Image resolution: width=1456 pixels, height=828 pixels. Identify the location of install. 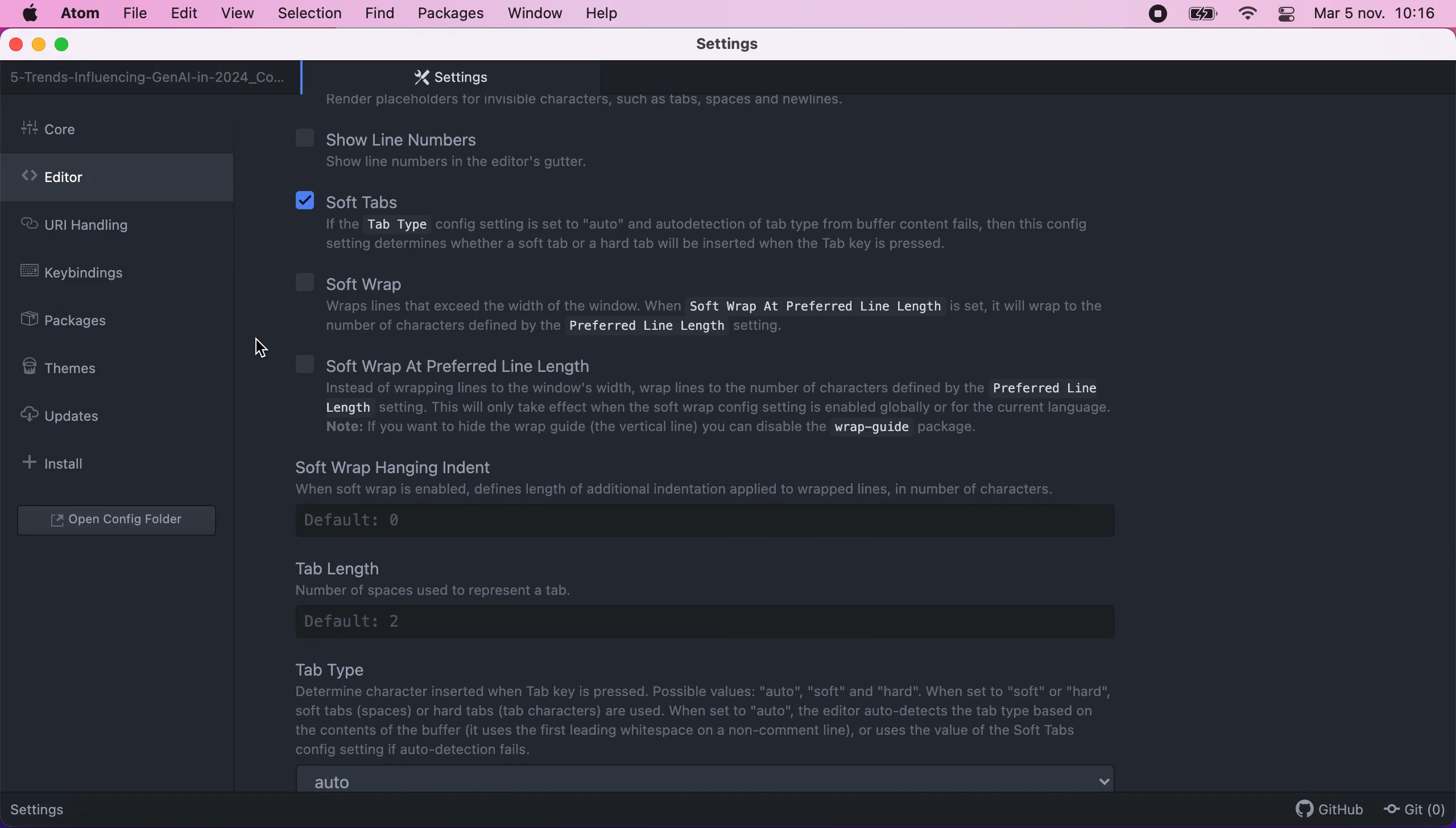
(60, 463).